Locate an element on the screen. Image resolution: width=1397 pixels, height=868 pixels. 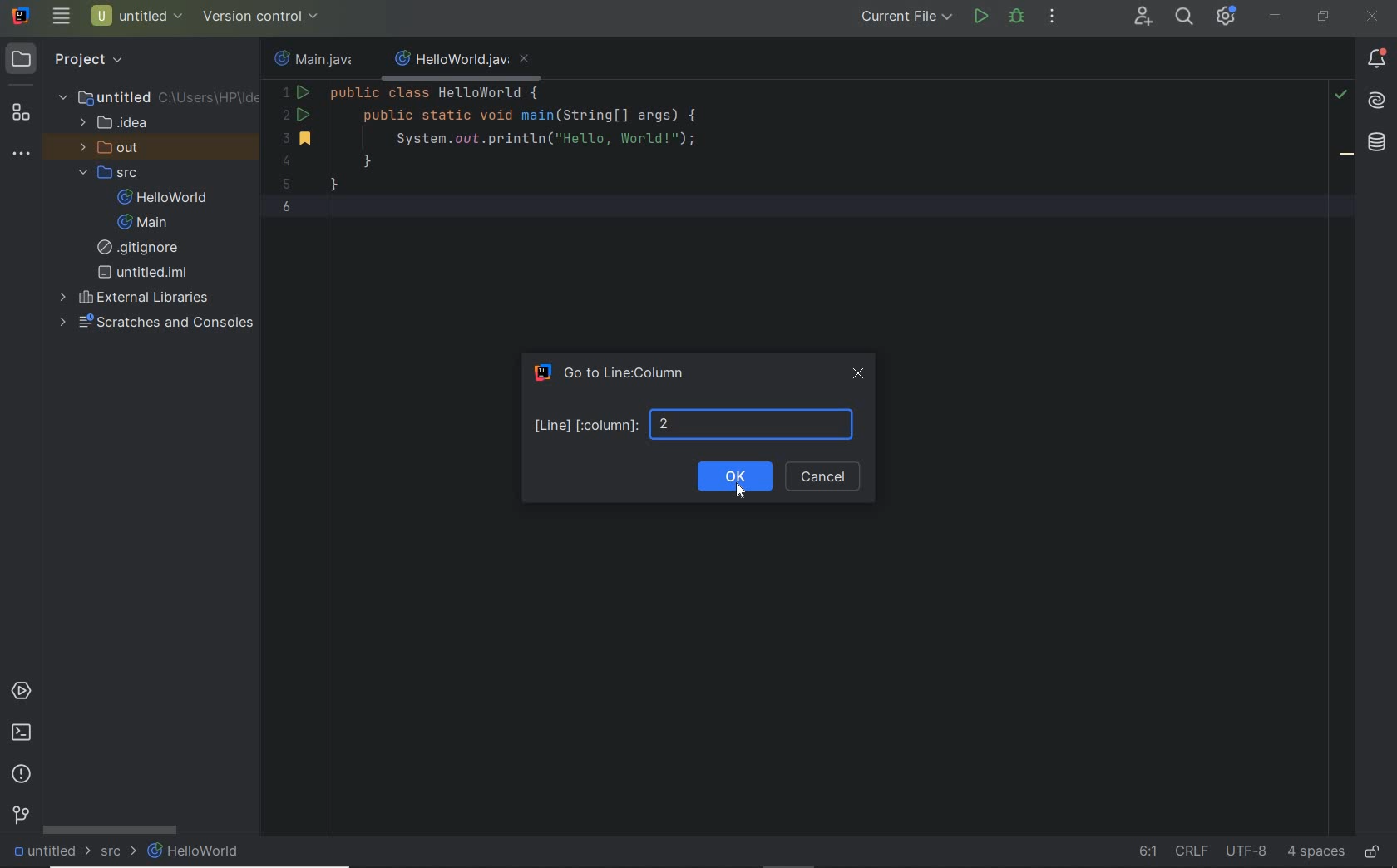
more actions is located at coordinates (1054, 17).